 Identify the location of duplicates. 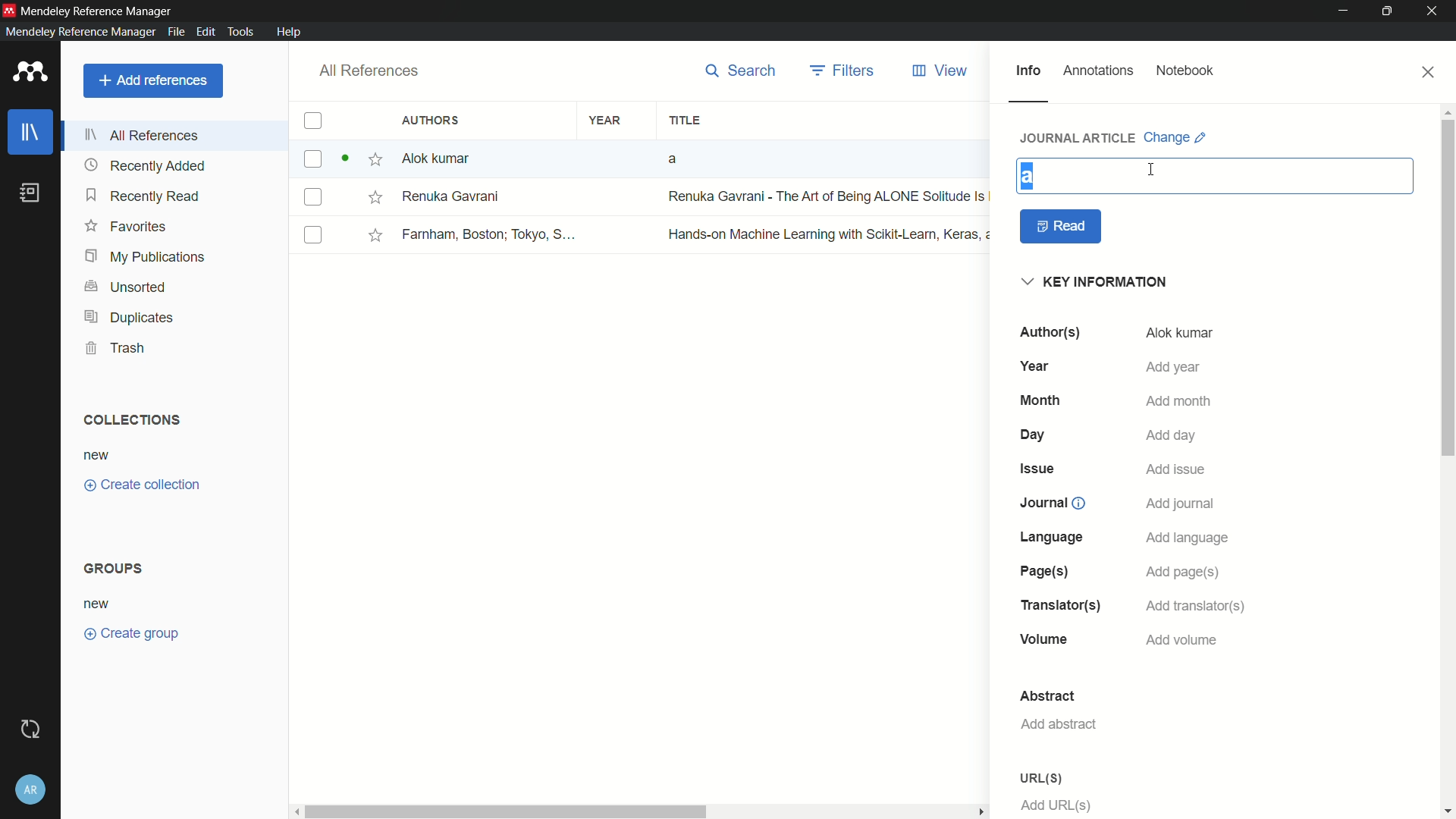
(128, 318).